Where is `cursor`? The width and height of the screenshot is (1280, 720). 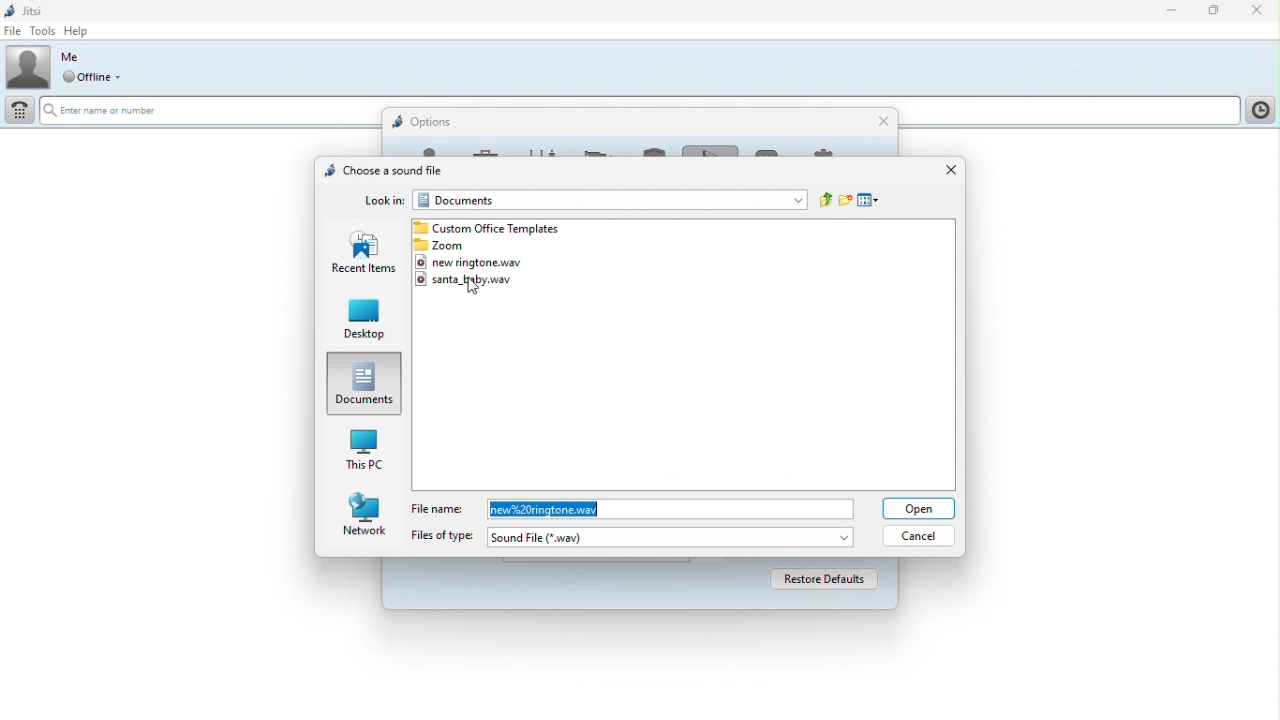
cursor is located at coordinates (475, 289).